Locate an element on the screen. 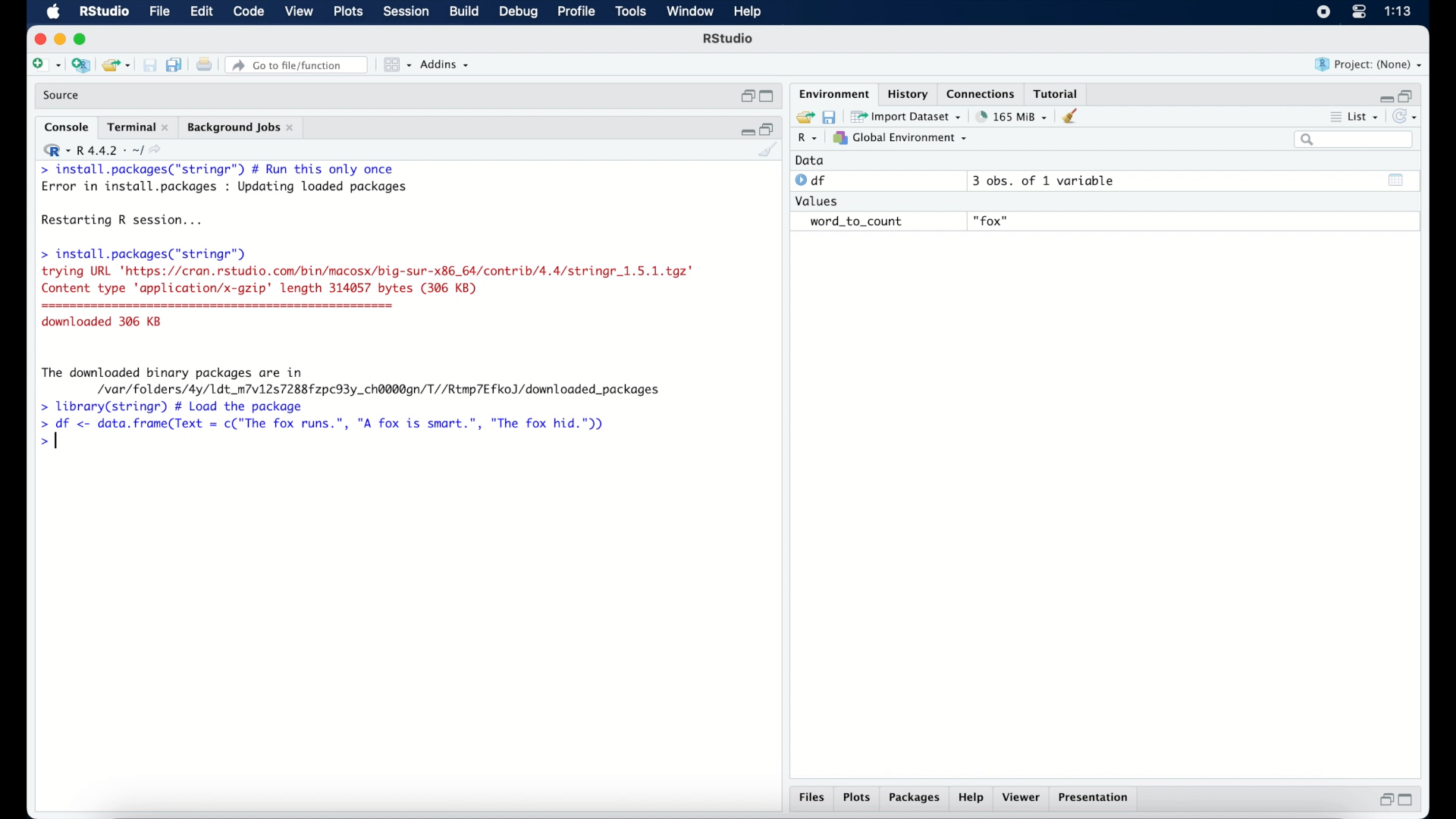  > install.packages("stringr") # Run this only once| is located at coordinates (221, 170).